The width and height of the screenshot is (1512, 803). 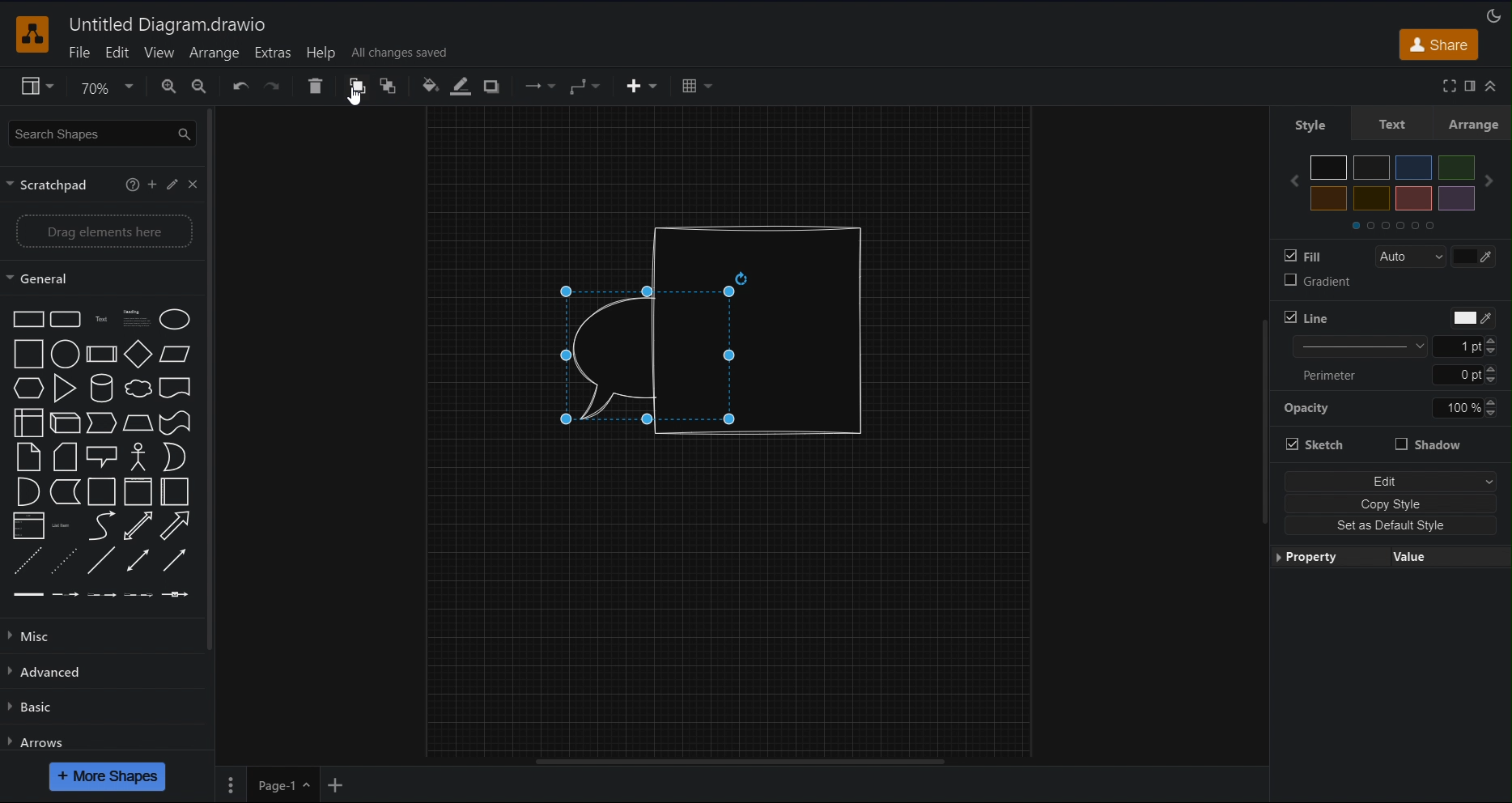 What do you see at coordinates (1360, 346) in the screenshot?
I see `Line thickness options` at bounding box center [1360, 346].